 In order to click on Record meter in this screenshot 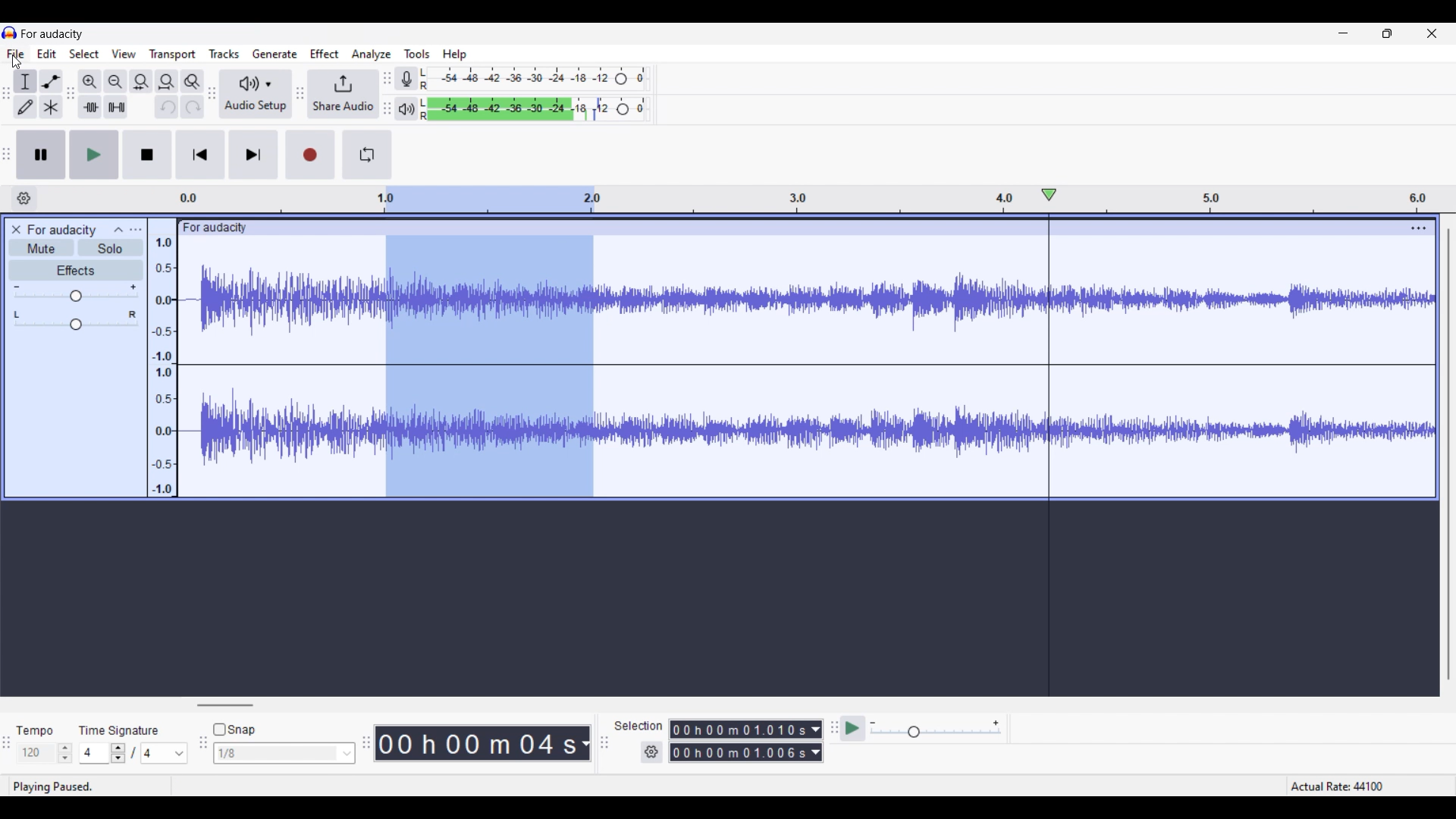, I will do `click(404, 78)`.